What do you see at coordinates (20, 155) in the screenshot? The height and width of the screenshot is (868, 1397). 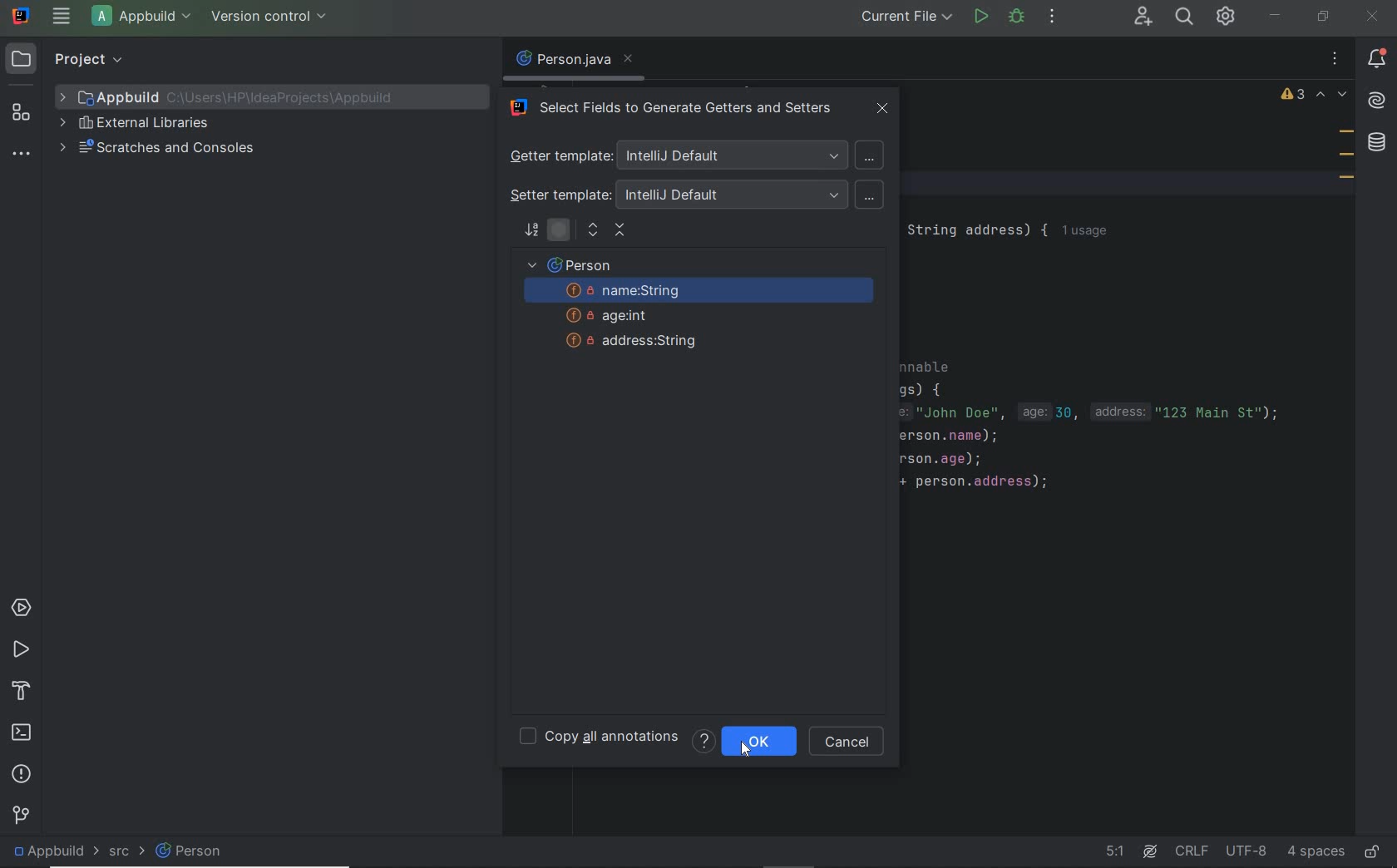 I see `more tool windows` at bounding box center [20, 155].